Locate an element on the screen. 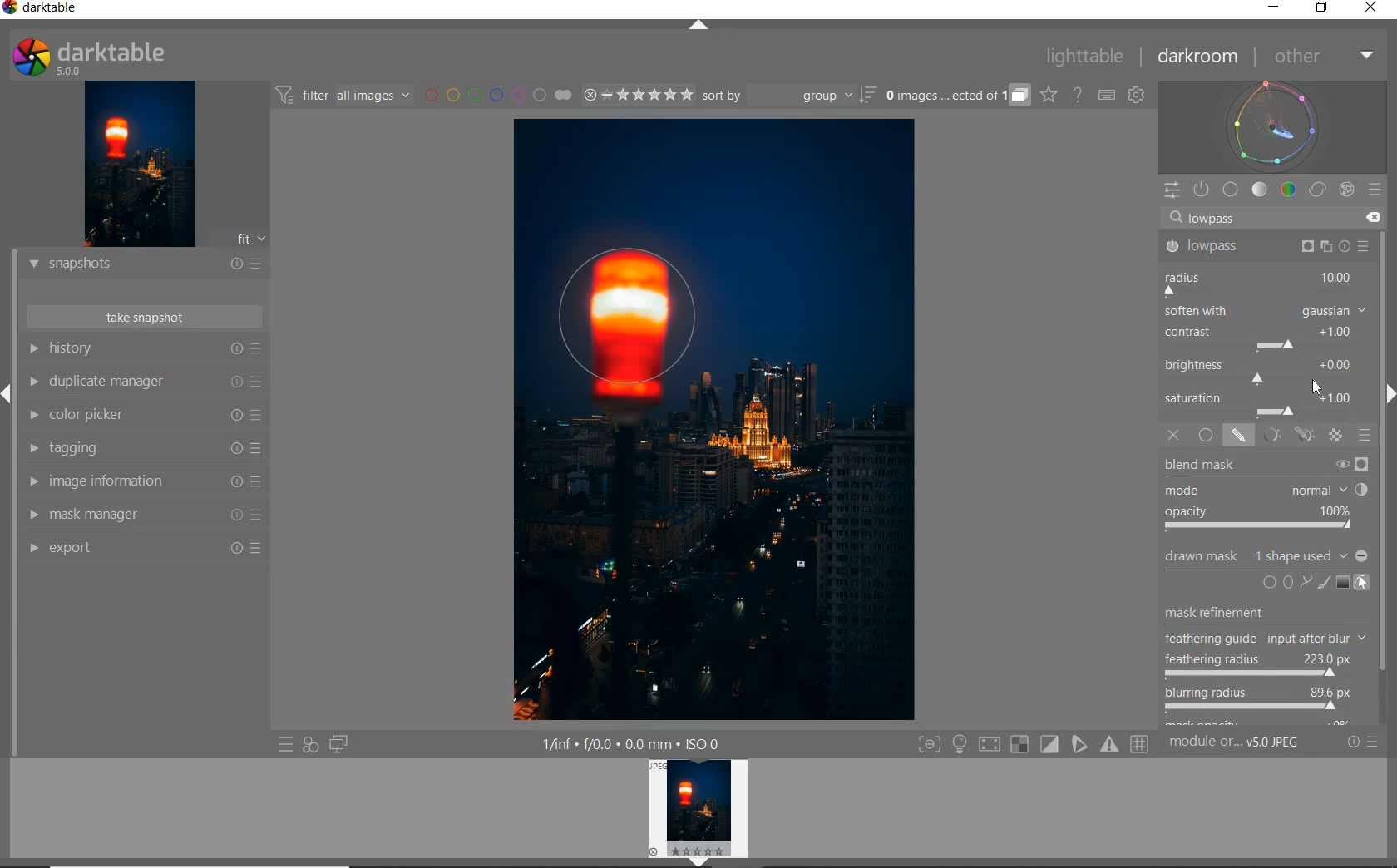 This screenshot has height=868, width=1397. ADD CIRCLE, ELLIPSE OR PATH is located at coordinates (1284, 581).